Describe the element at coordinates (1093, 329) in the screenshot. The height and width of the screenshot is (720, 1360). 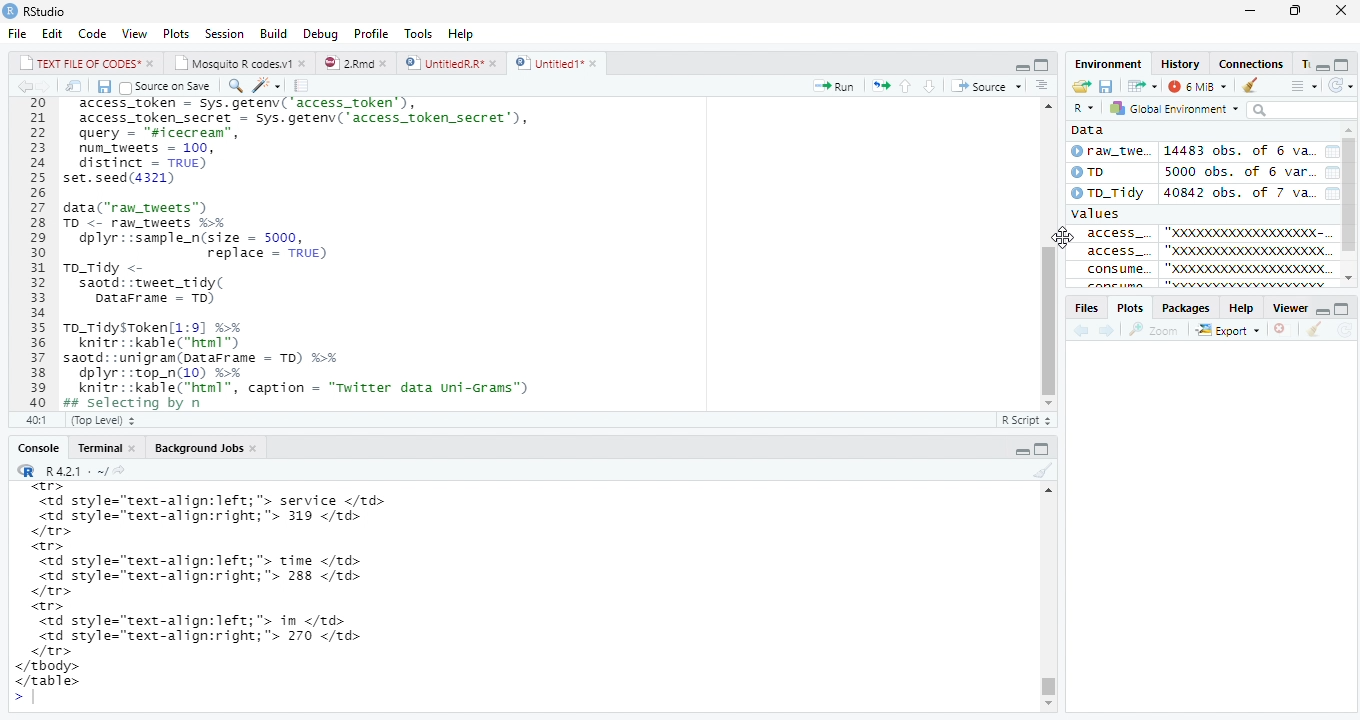
I see `forward/backward source location` at that location.